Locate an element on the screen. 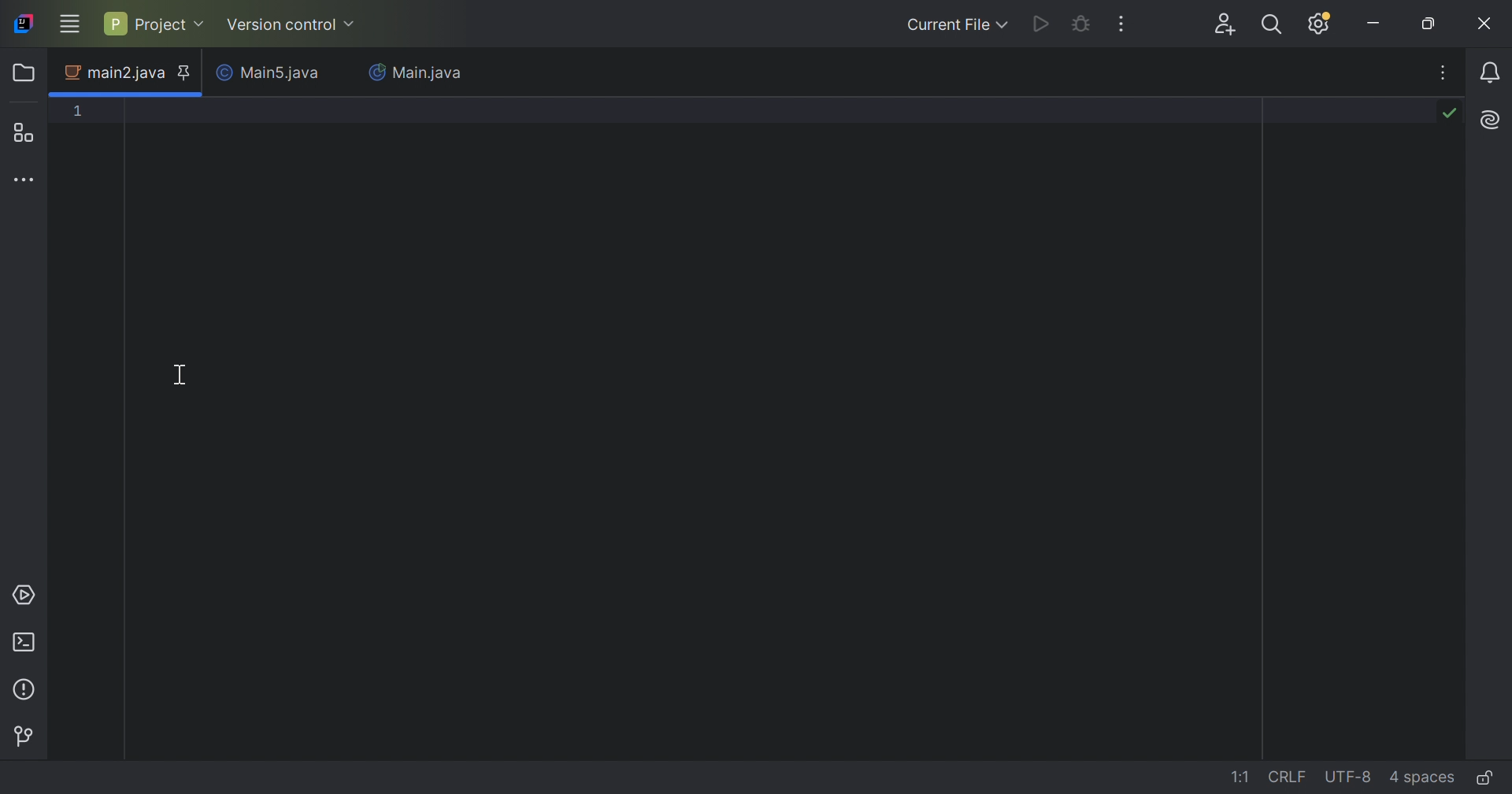 Image resolution: width=1512 pixels, height=794 pixels. Code with me is located at coordinates (1228, 26).